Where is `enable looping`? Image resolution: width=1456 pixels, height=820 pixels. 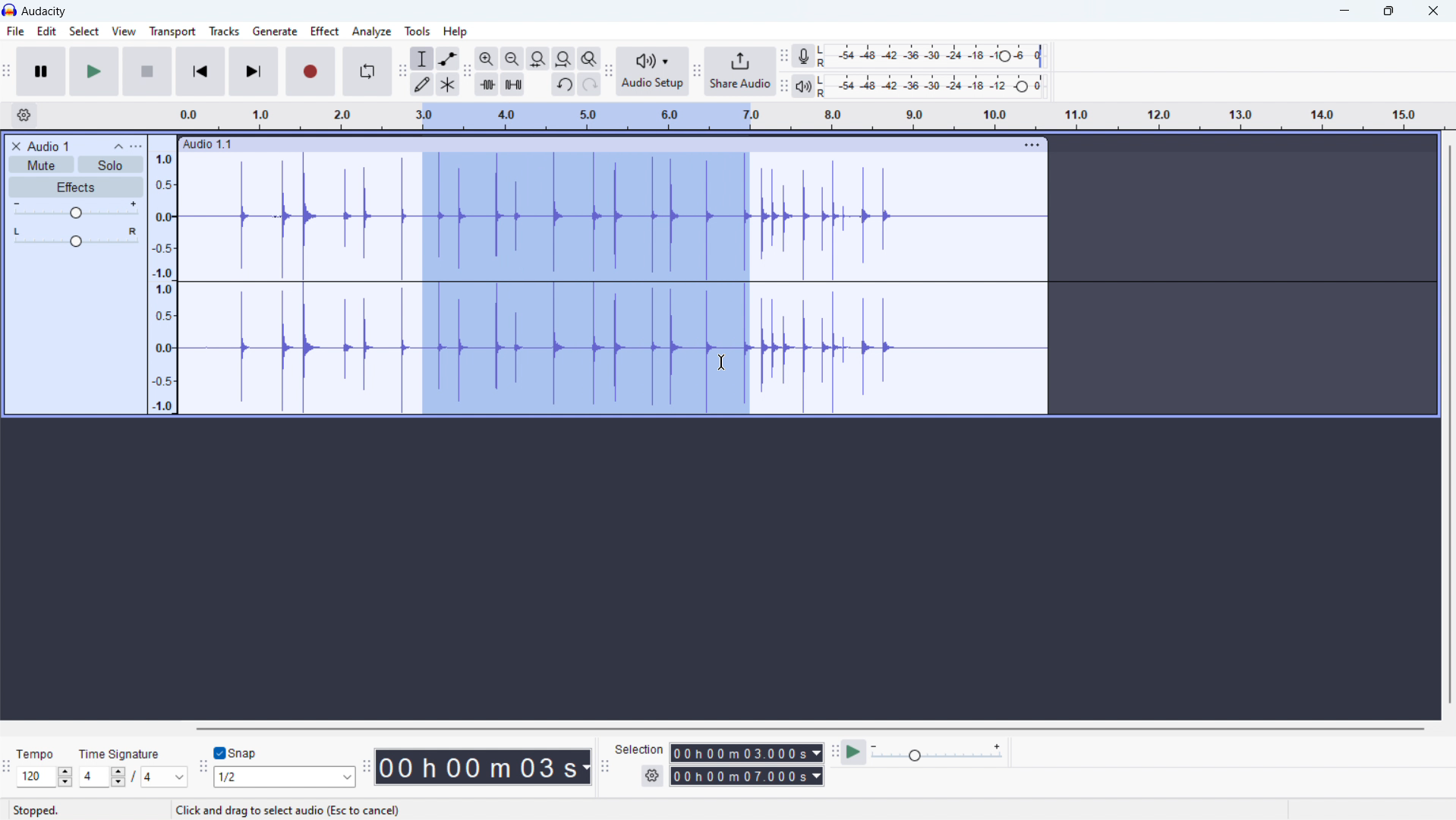 enable looping is located at coordinates (367, 72).